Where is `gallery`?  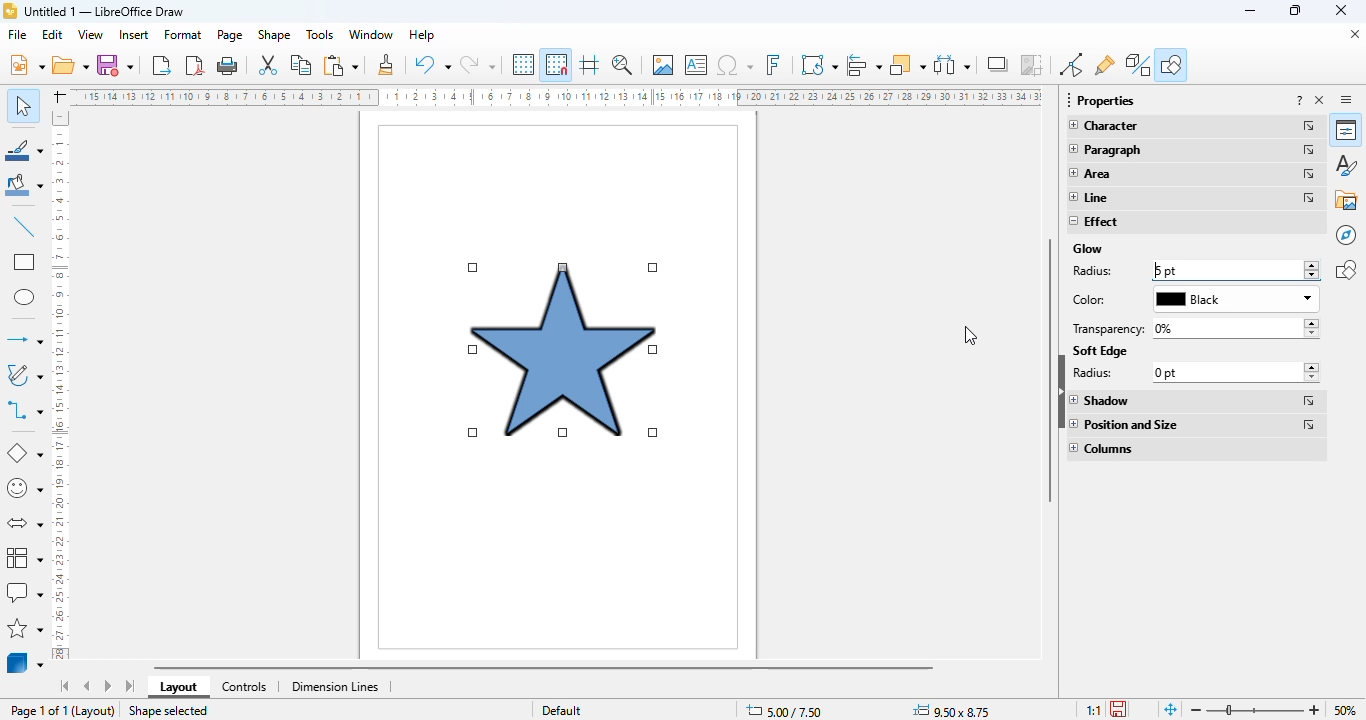
gallery is located at coordinates (1346, 200).